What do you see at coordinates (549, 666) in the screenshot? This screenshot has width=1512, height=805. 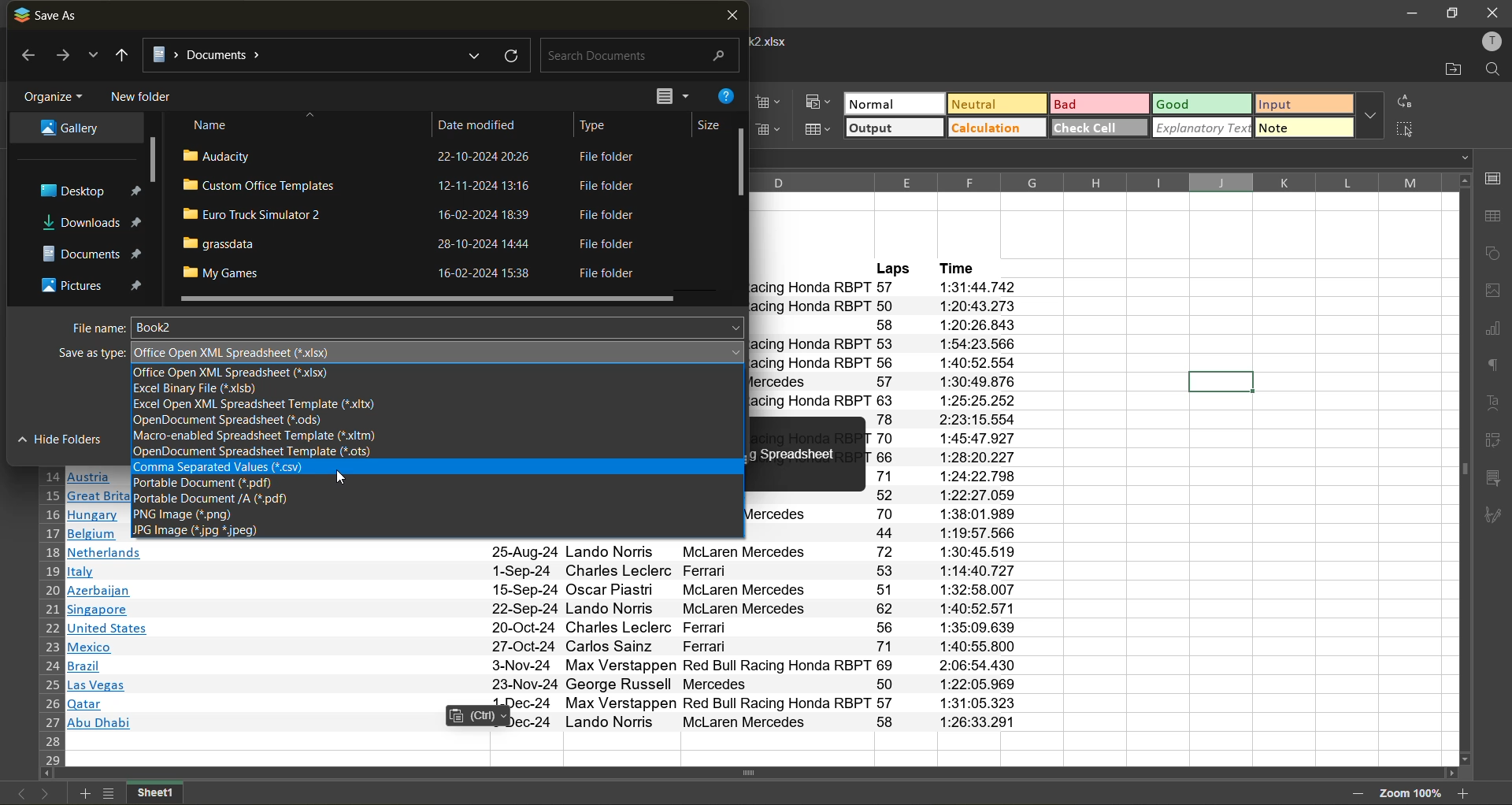 I see `text info` at bounding box center [549, 666].